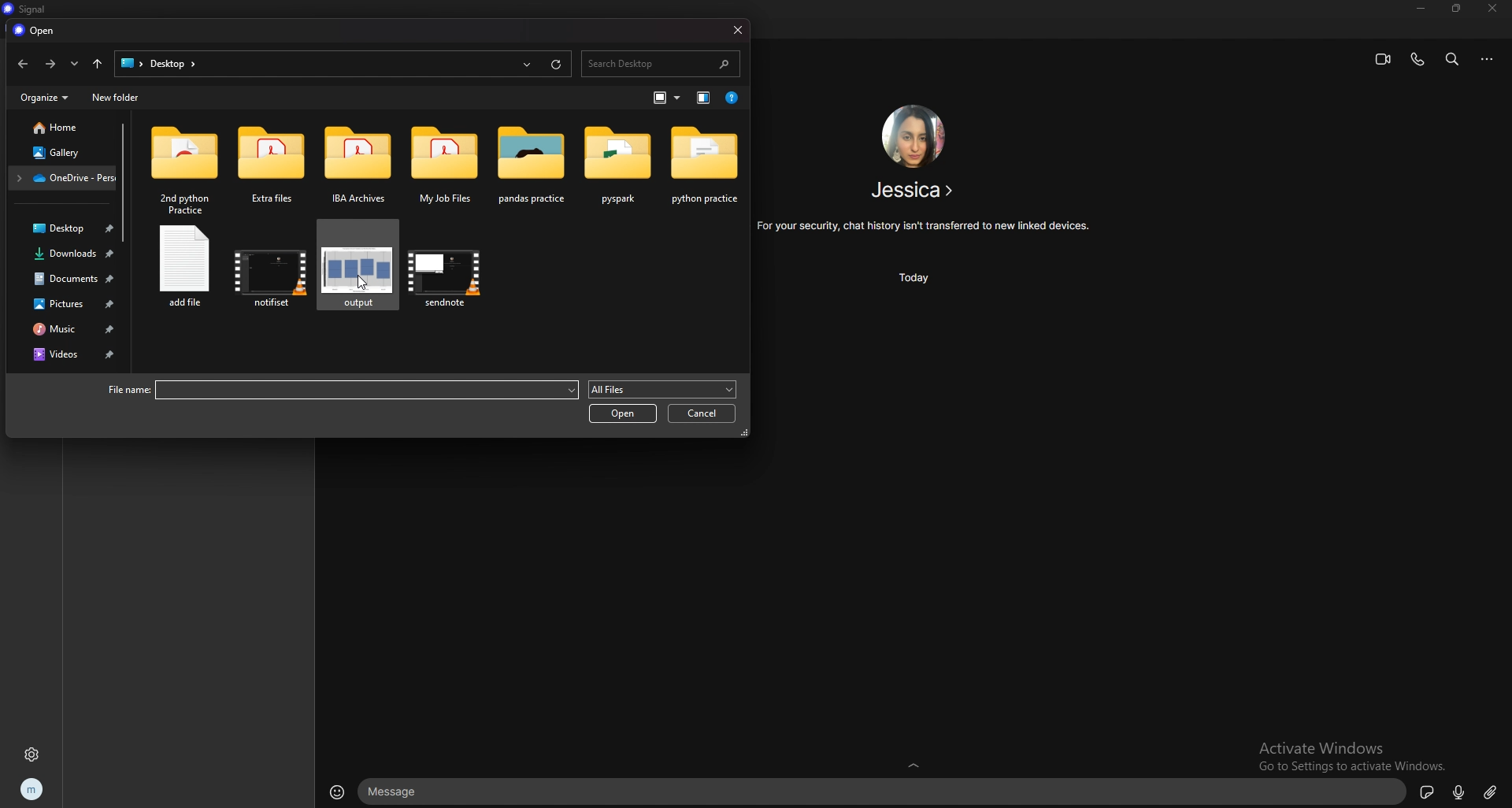 Image resolution: width=1512 pixels, height=808 pixels. I want to click on videos, so click(69, 354).